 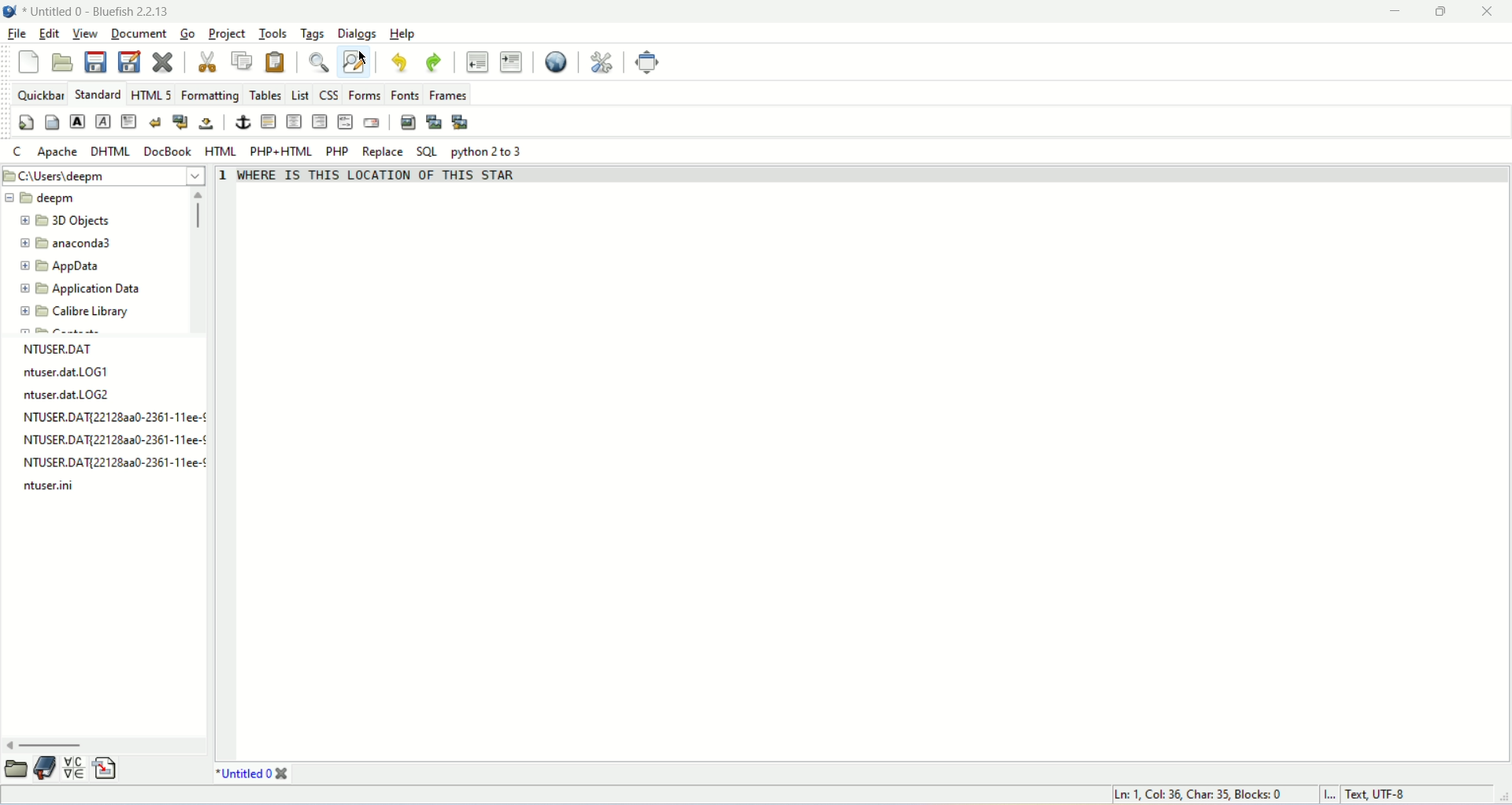 I want to click on character encoding, so click(x=1373, y=796).